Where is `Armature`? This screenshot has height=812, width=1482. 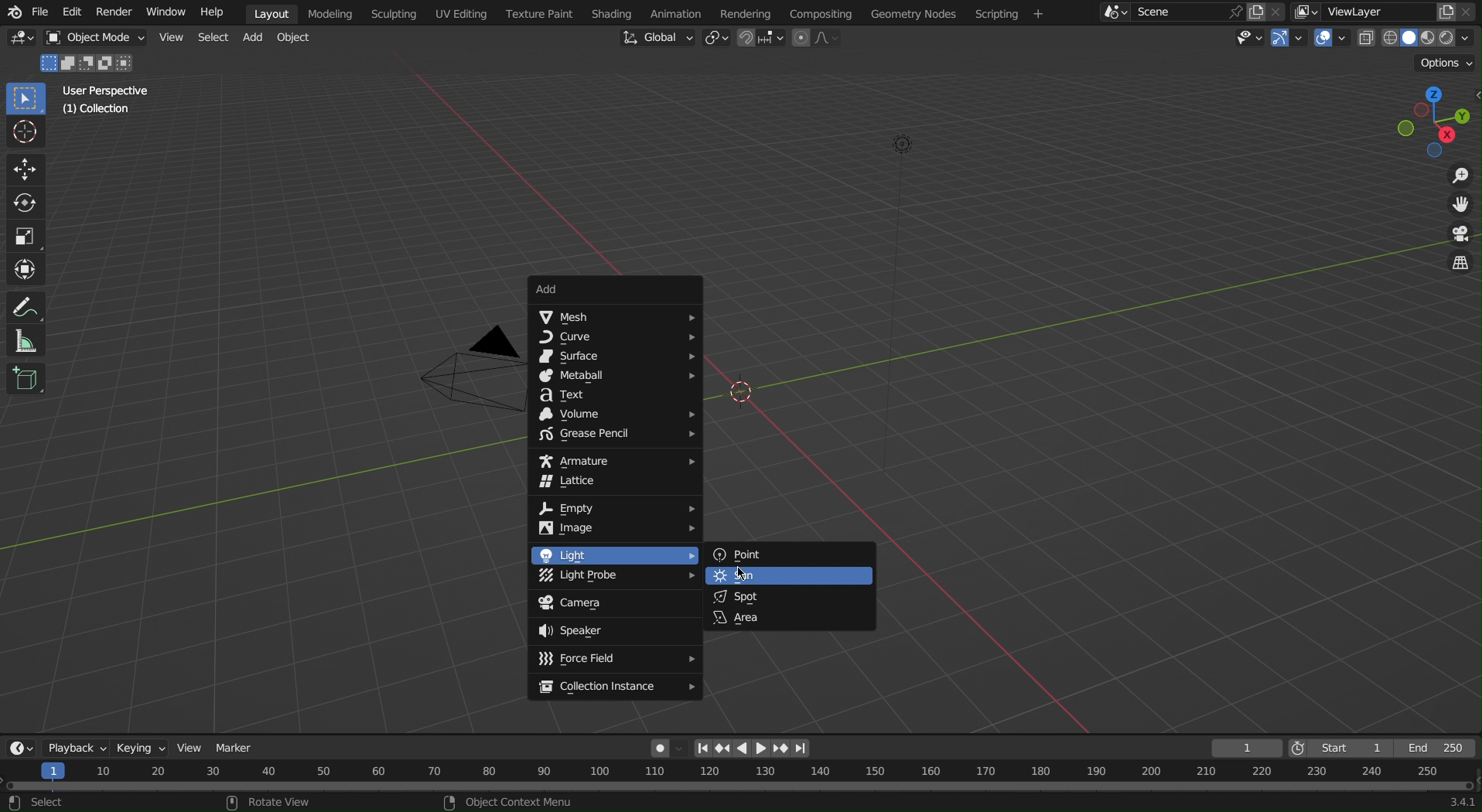 Armature is located at coordinates (615, 459).